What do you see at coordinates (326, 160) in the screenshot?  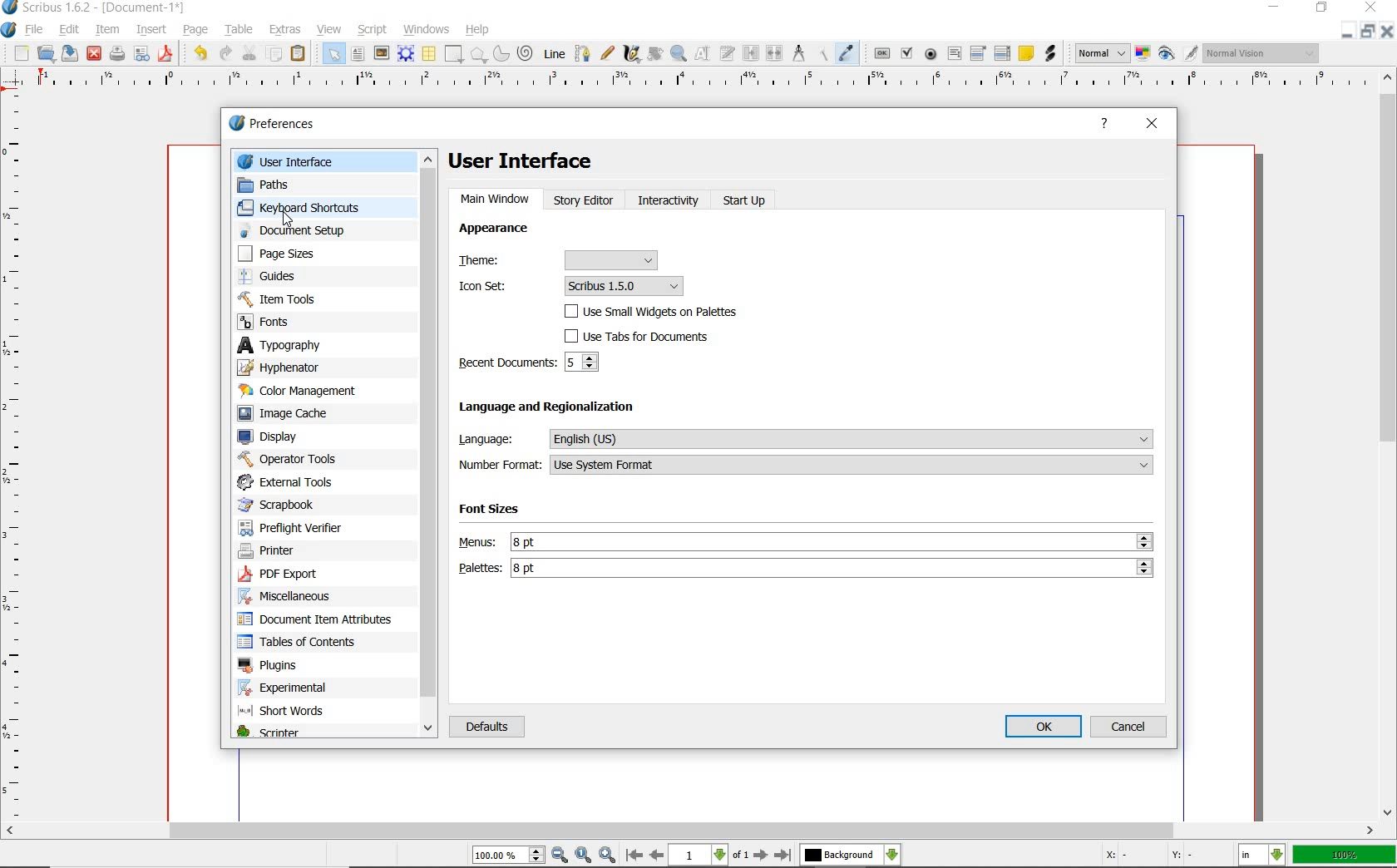 I see `user interface` at bounding box center [326, 160].